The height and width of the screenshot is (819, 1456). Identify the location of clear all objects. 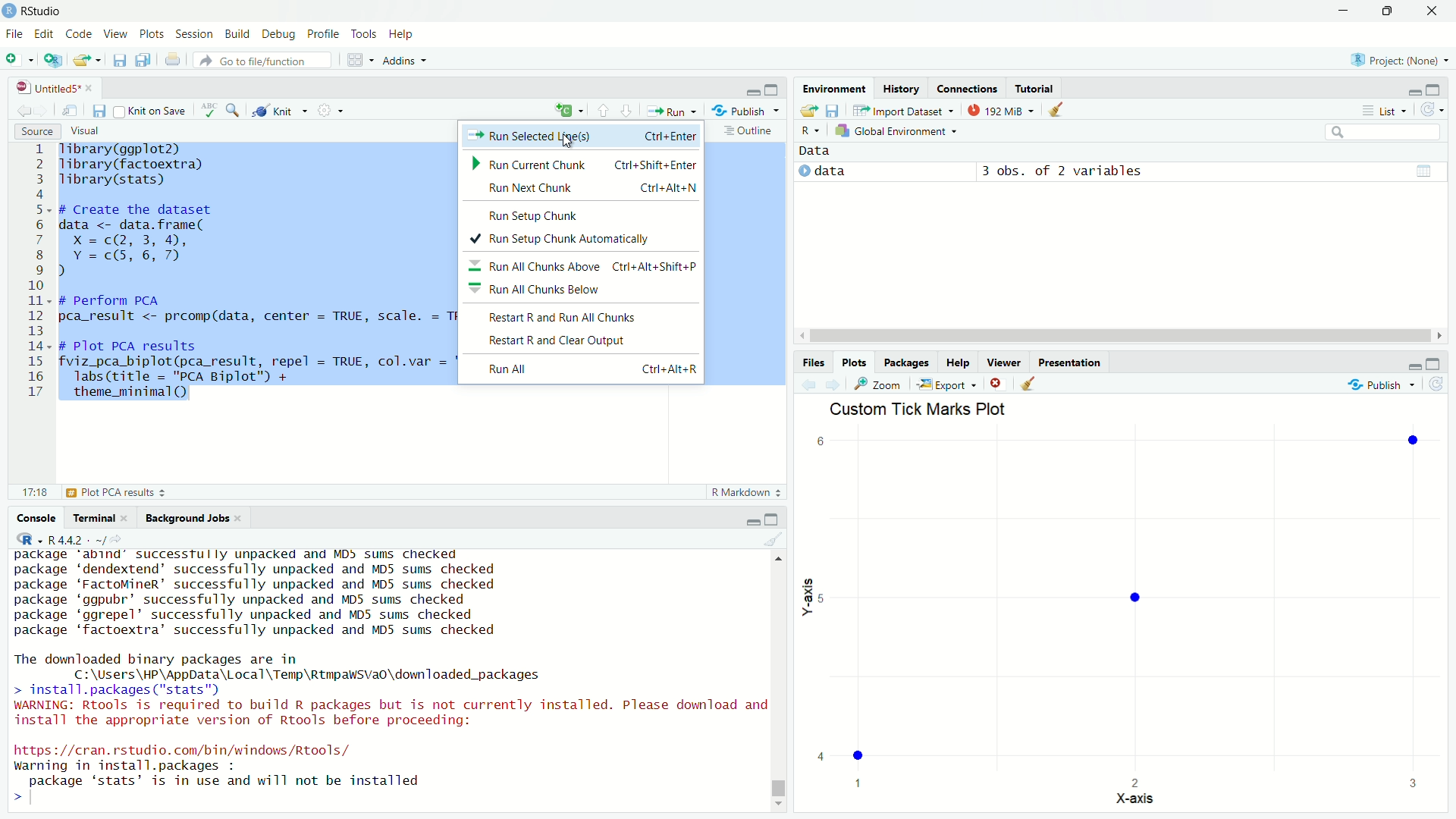
(1057, 108).